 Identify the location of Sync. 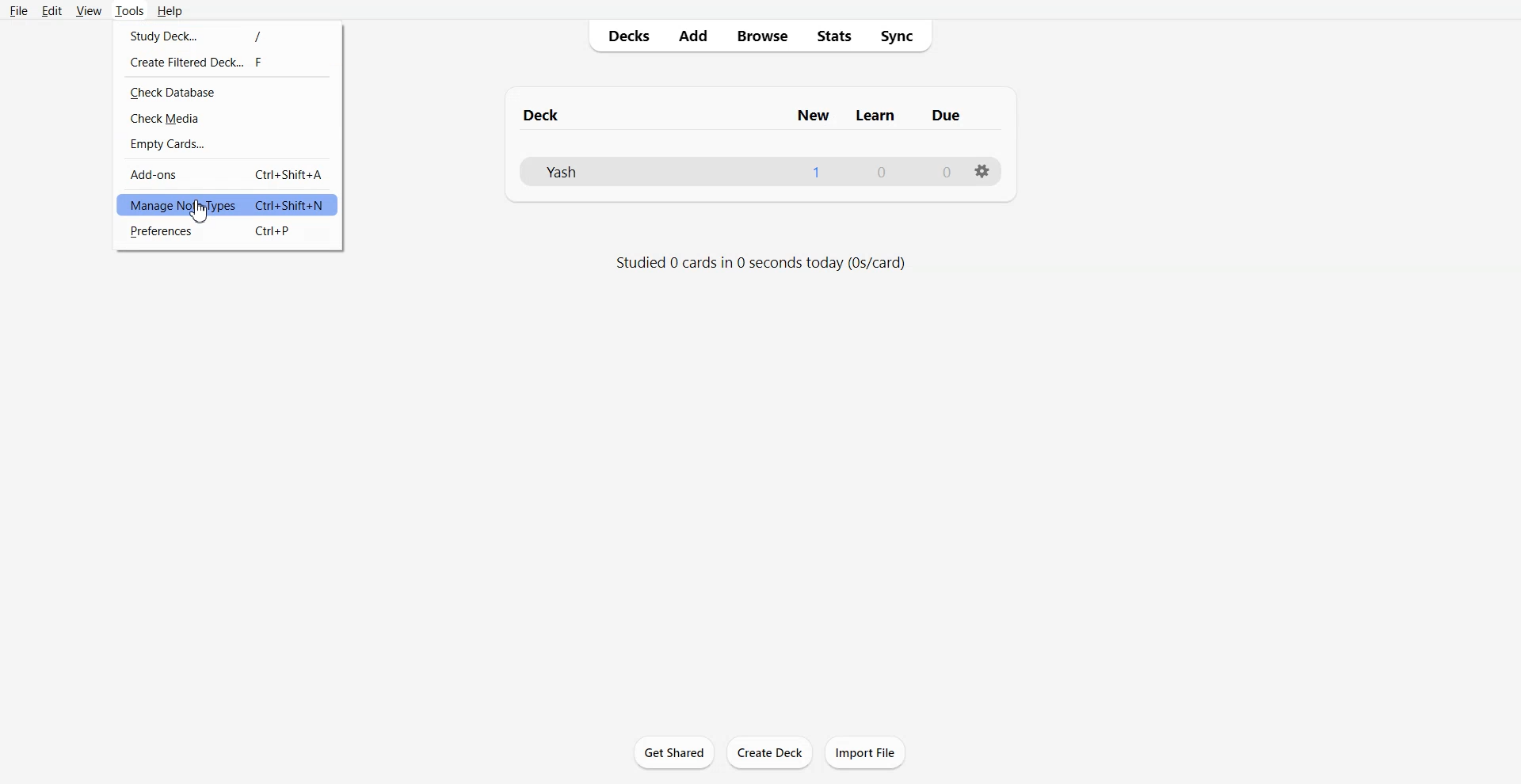
(902, 36).